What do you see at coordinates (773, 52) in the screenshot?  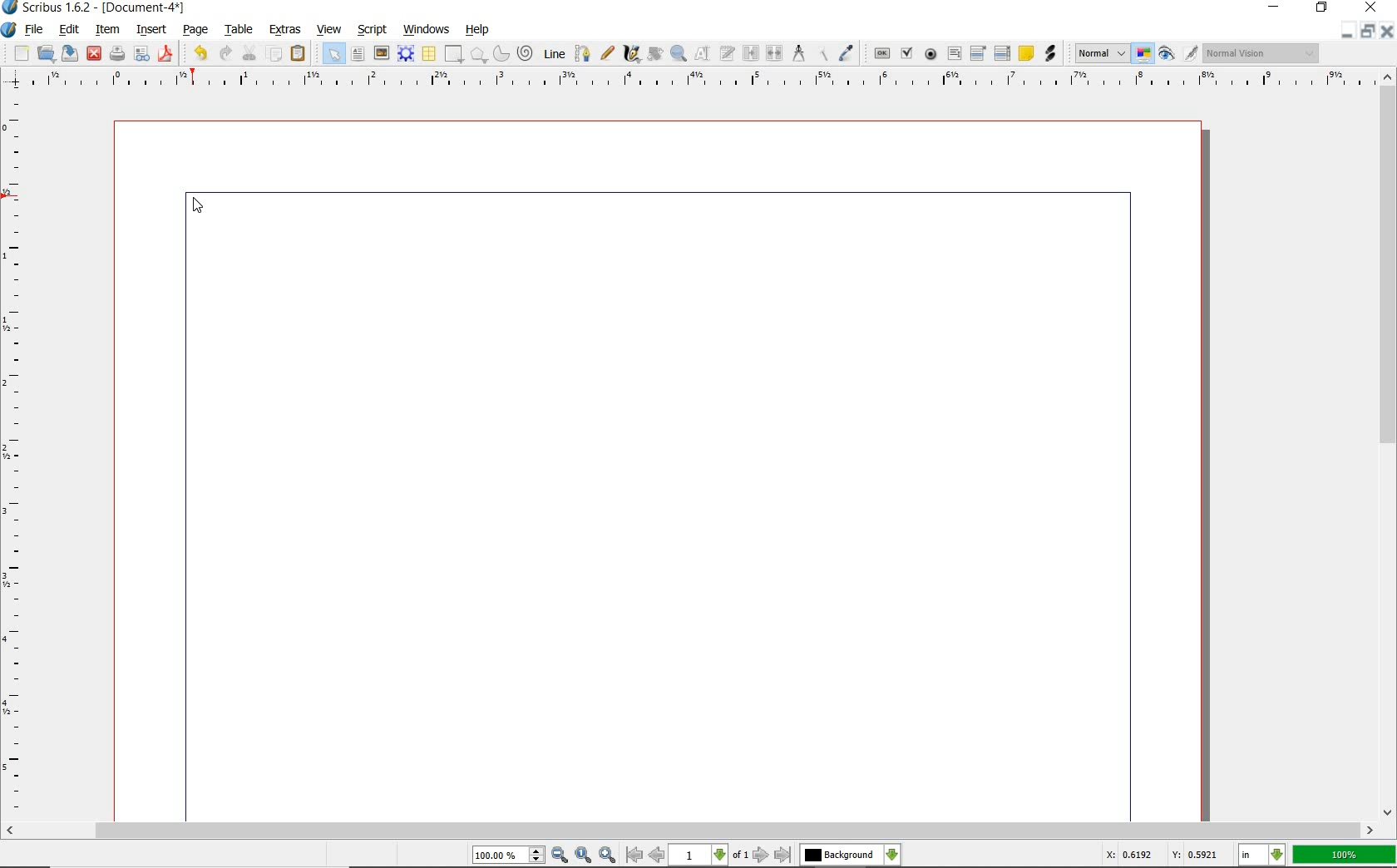 I see `unlink text frames` at bounding box center [773, 52].